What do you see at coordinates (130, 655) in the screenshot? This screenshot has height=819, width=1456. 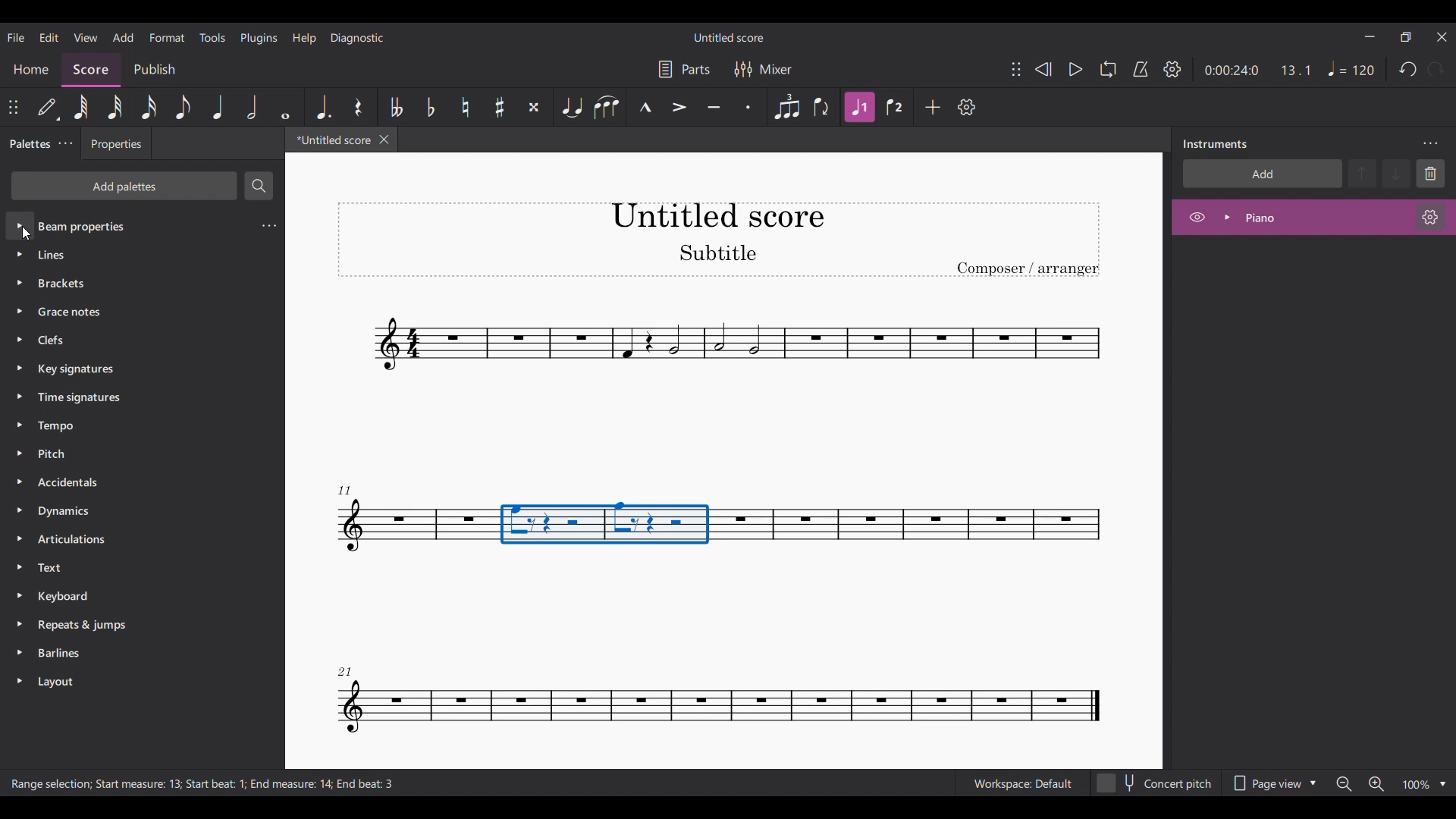 I see `Barlines` at bounding box center [130, 655].